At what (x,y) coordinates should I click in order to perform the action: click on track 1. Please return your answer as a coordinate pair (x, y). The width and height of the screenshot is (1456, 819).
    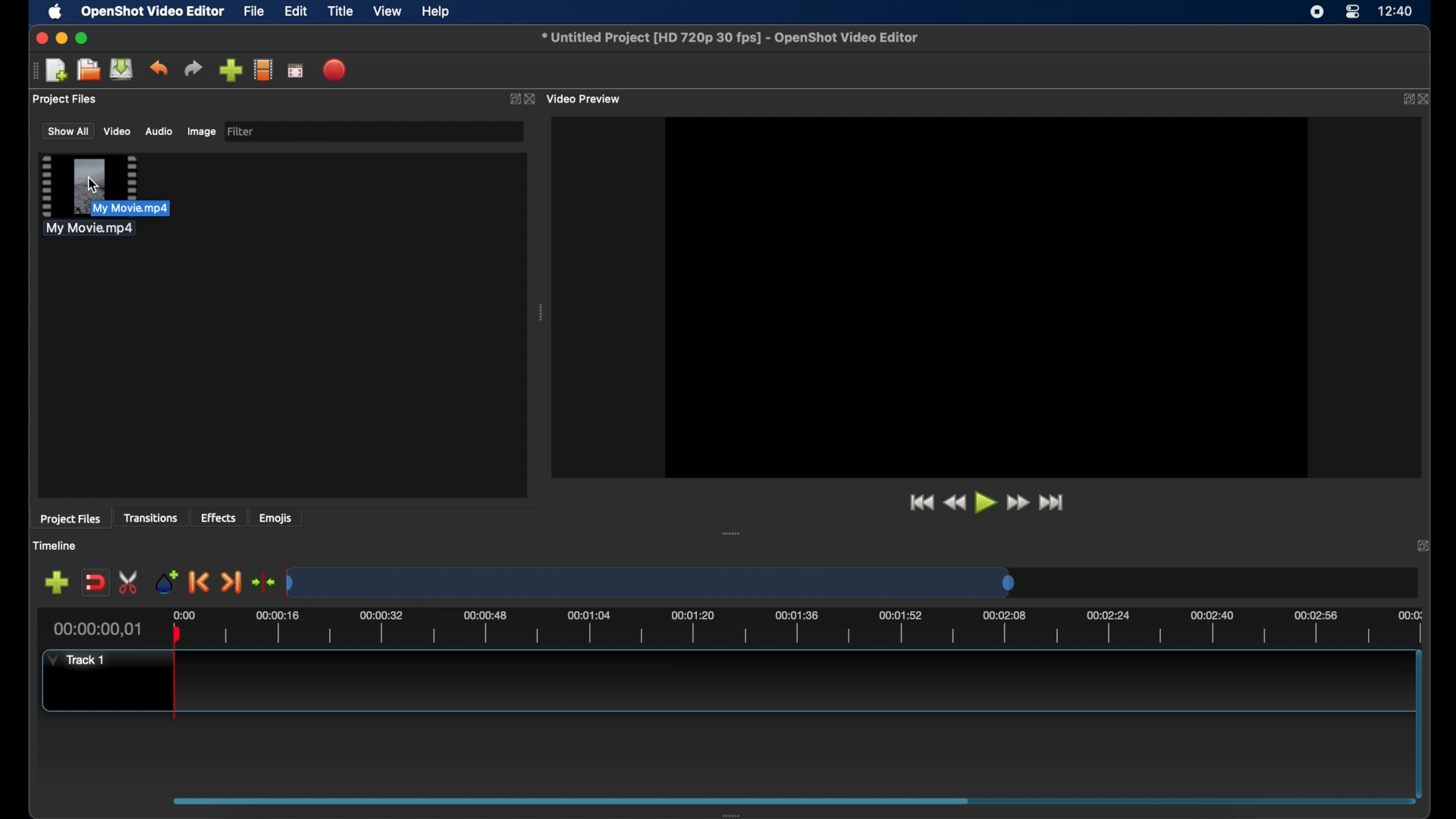
    Looking at the image, I should click on (74, 660).